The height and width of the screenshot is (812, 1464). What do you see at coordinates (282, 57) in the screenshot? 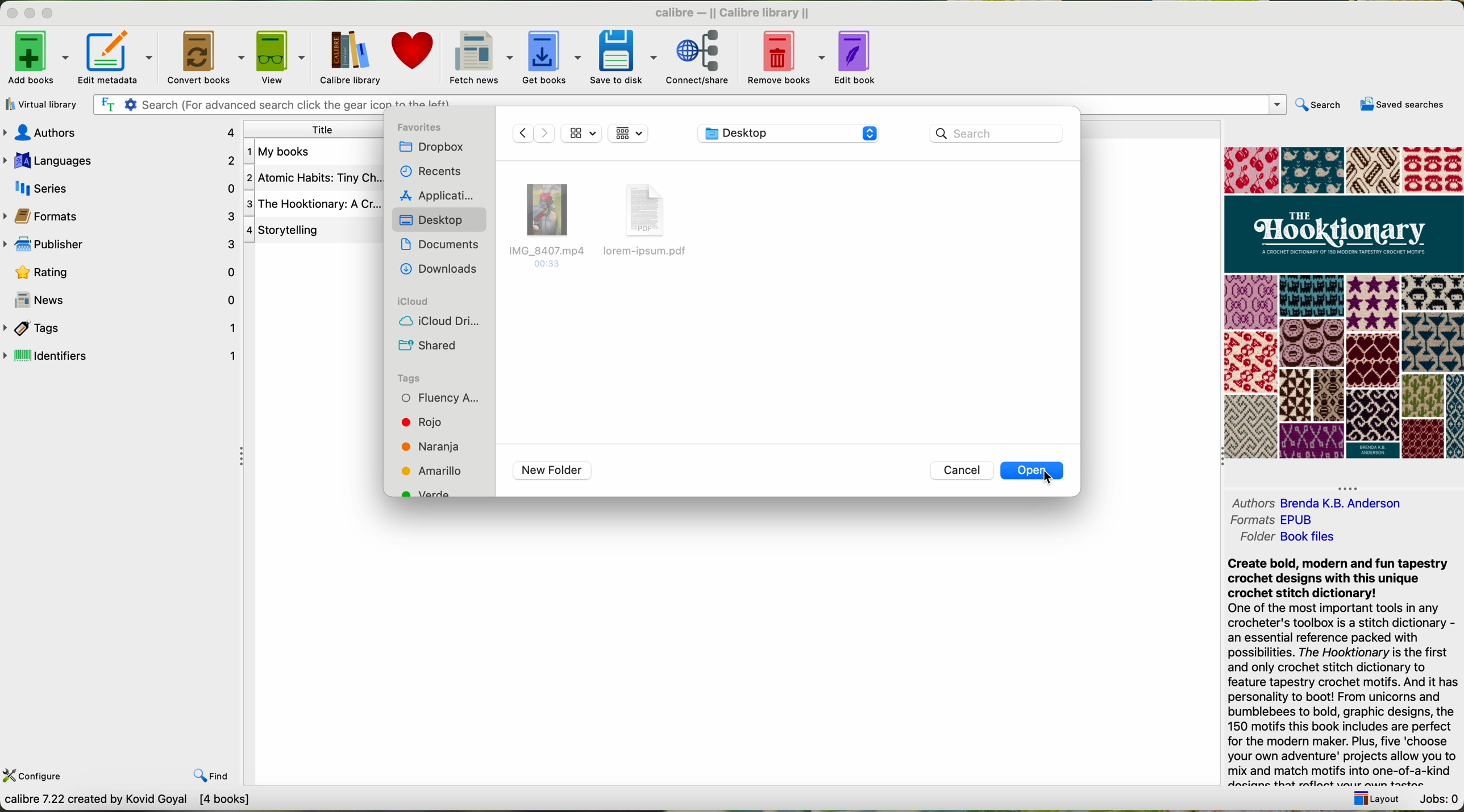
I see `view` at bounding box center [282, 57].